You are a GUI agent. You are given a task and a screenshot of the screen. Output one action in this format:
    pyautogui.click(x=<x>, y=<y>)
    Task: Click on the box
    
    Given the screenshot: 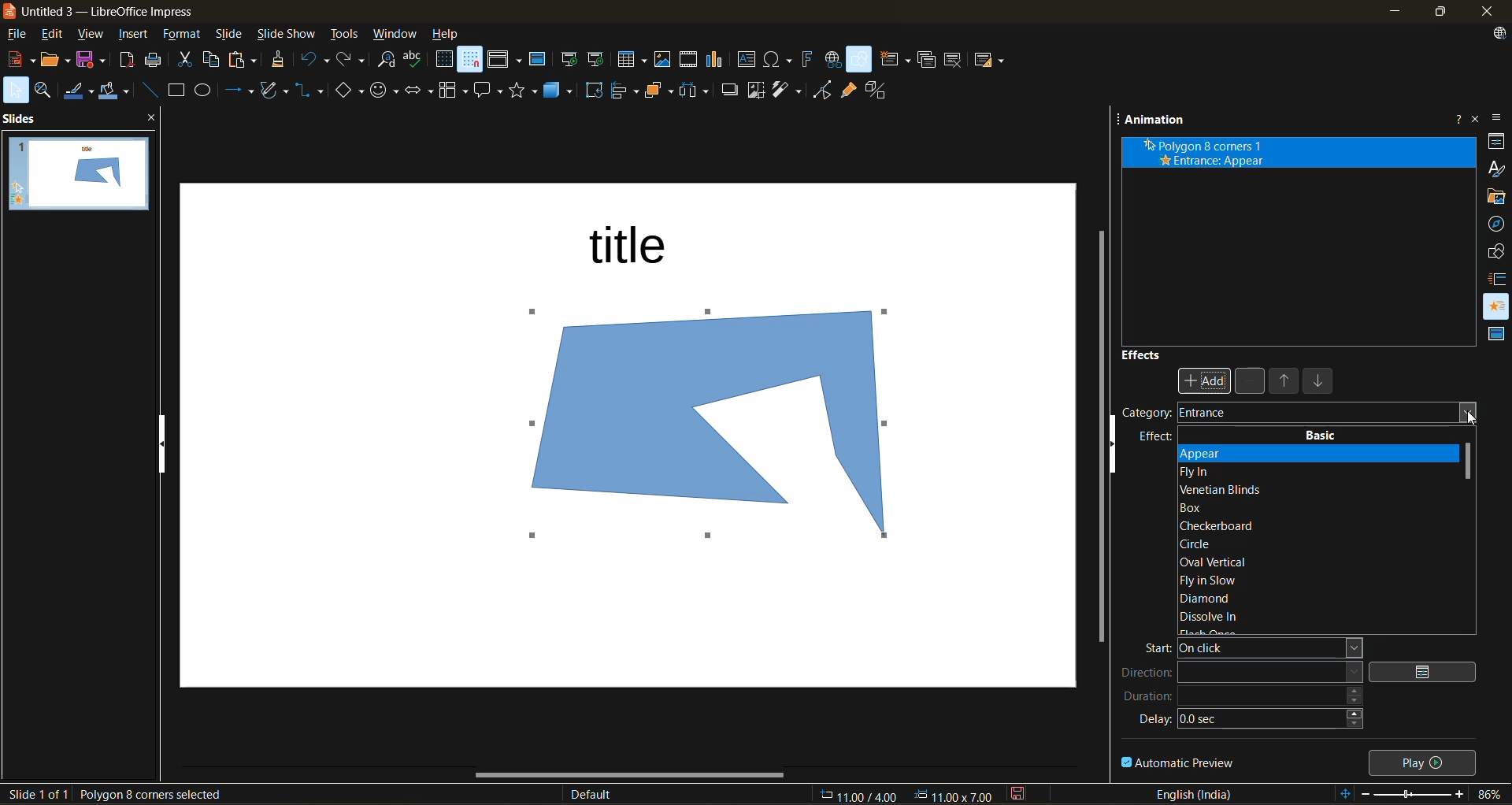 What is the action you would take?
    pyautogui.click(x=1215, y=508)
    